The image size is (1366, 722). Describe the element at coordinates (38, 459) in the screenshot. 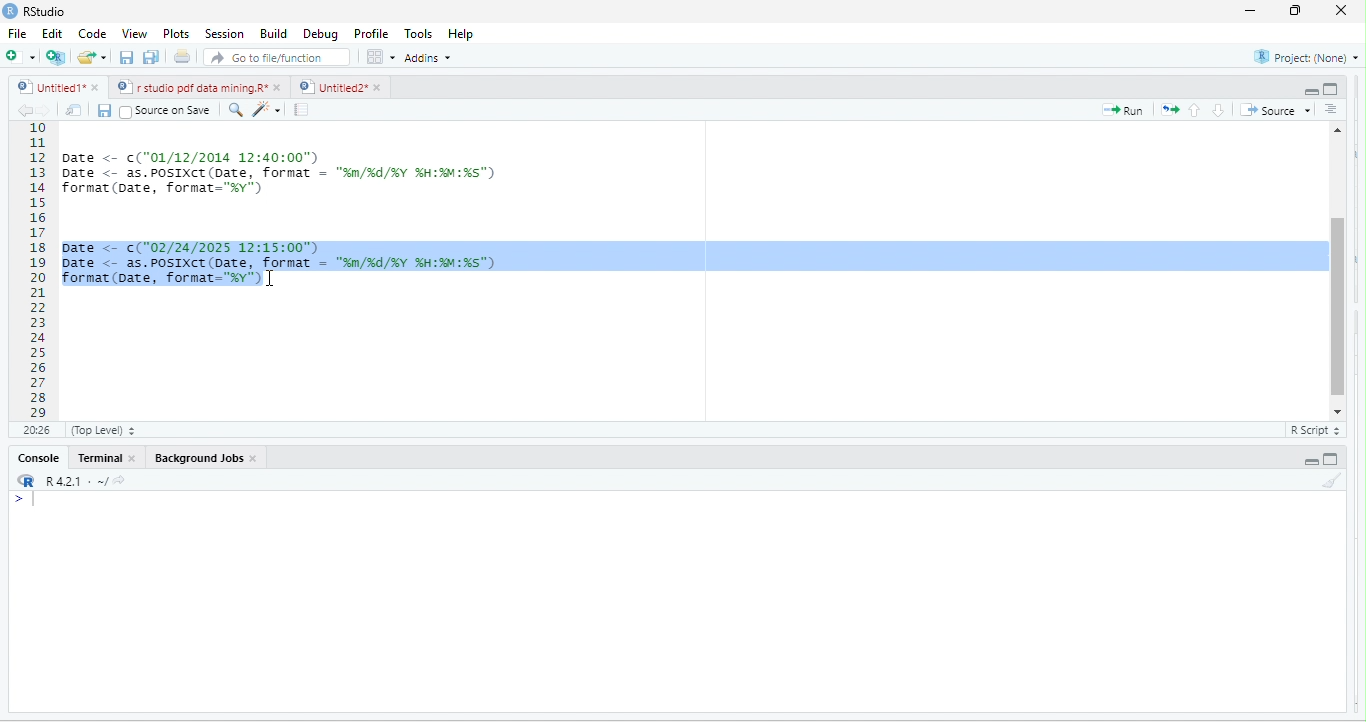

I see `Console` at that location.